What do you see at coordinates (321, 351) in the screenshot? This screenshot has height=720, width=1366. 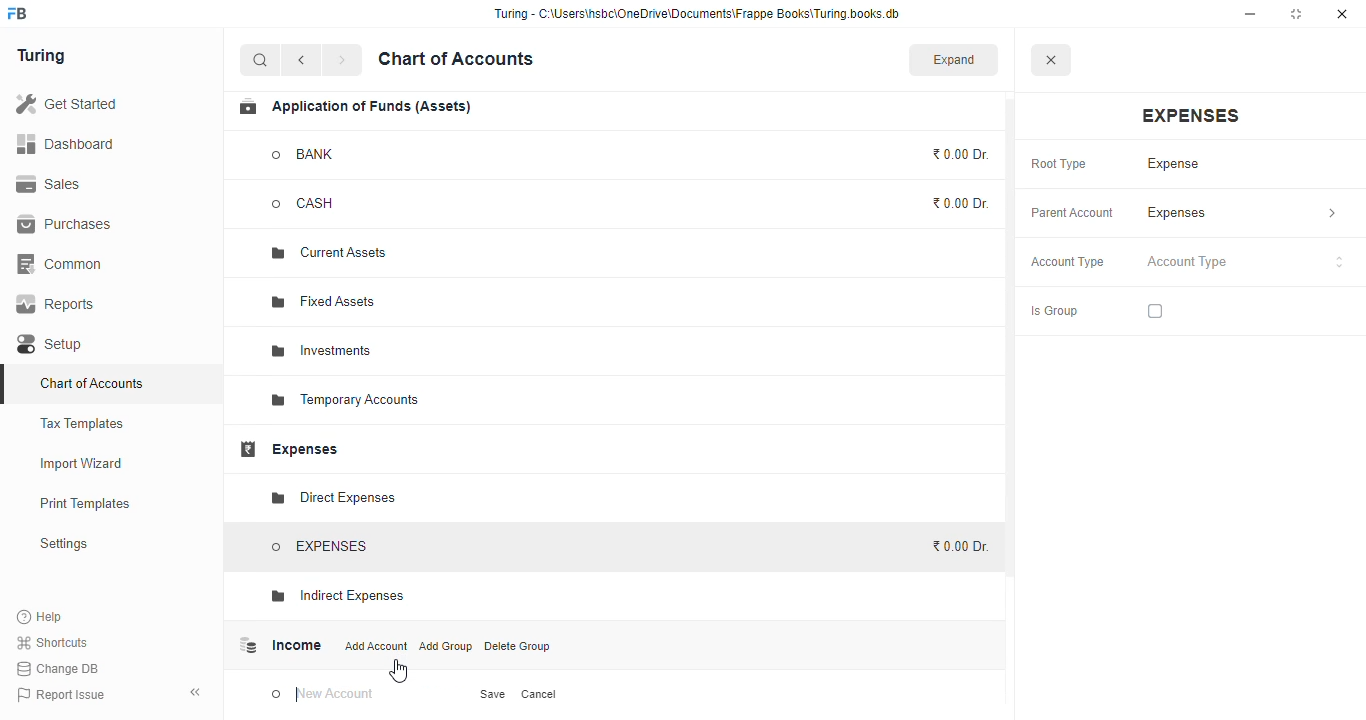 I see `investments` at bounding box center [321, 351].